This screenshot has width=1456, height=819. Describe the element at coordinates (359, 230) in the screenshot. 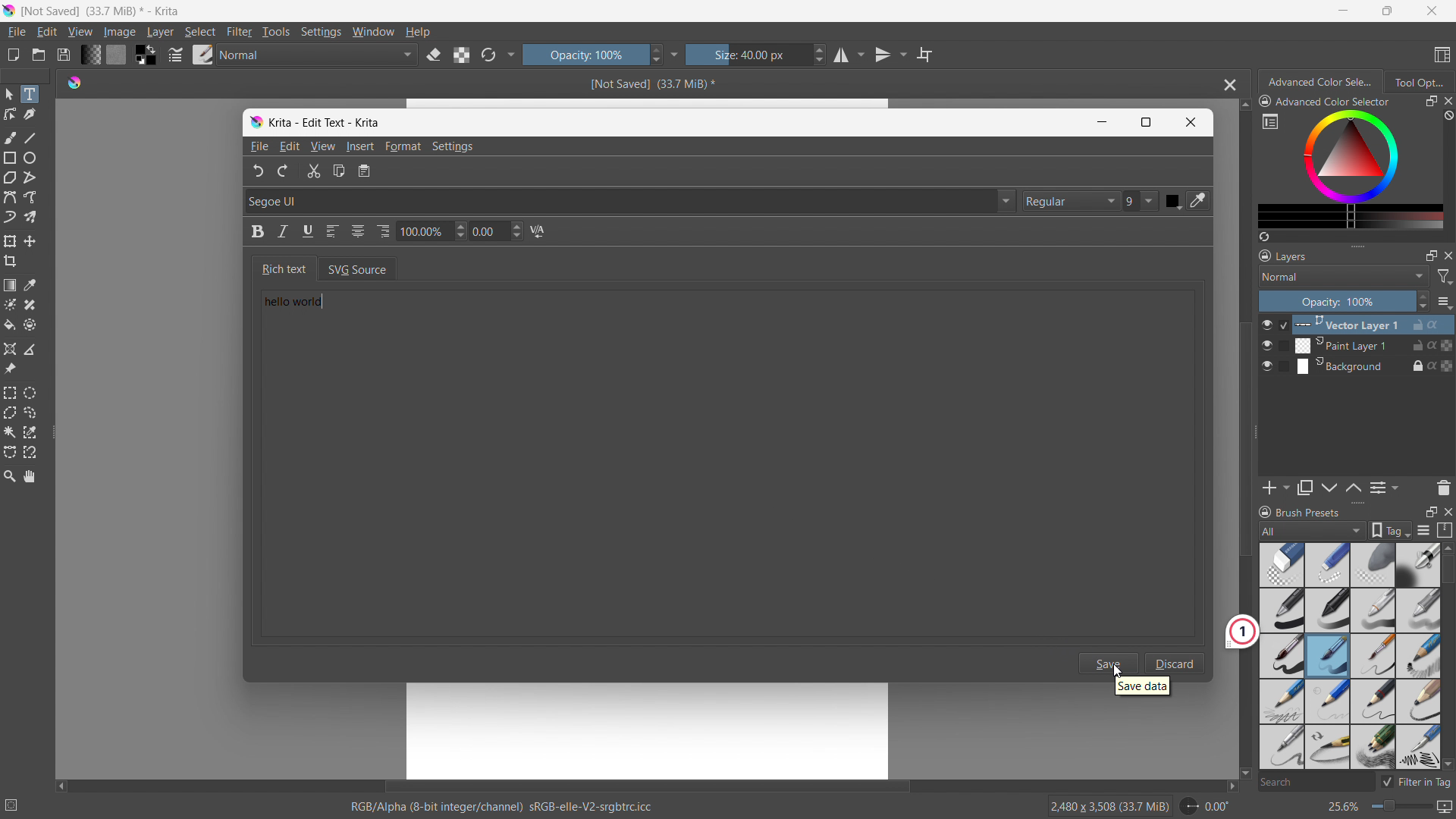

I see `Center align` at that location.